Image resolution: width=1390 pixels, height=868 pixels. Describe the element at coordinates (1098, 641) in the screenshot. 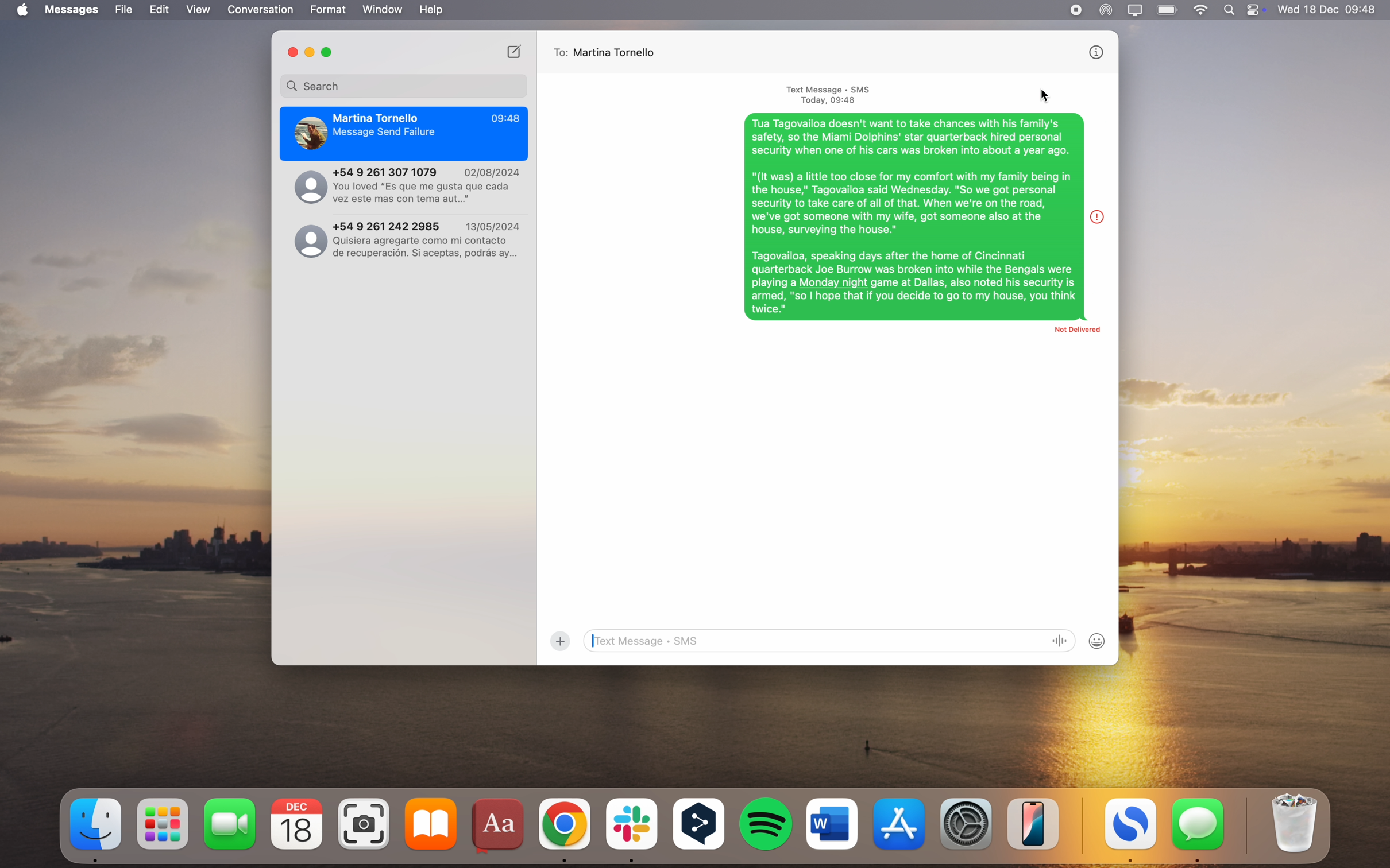

I see `emojis` at that location.